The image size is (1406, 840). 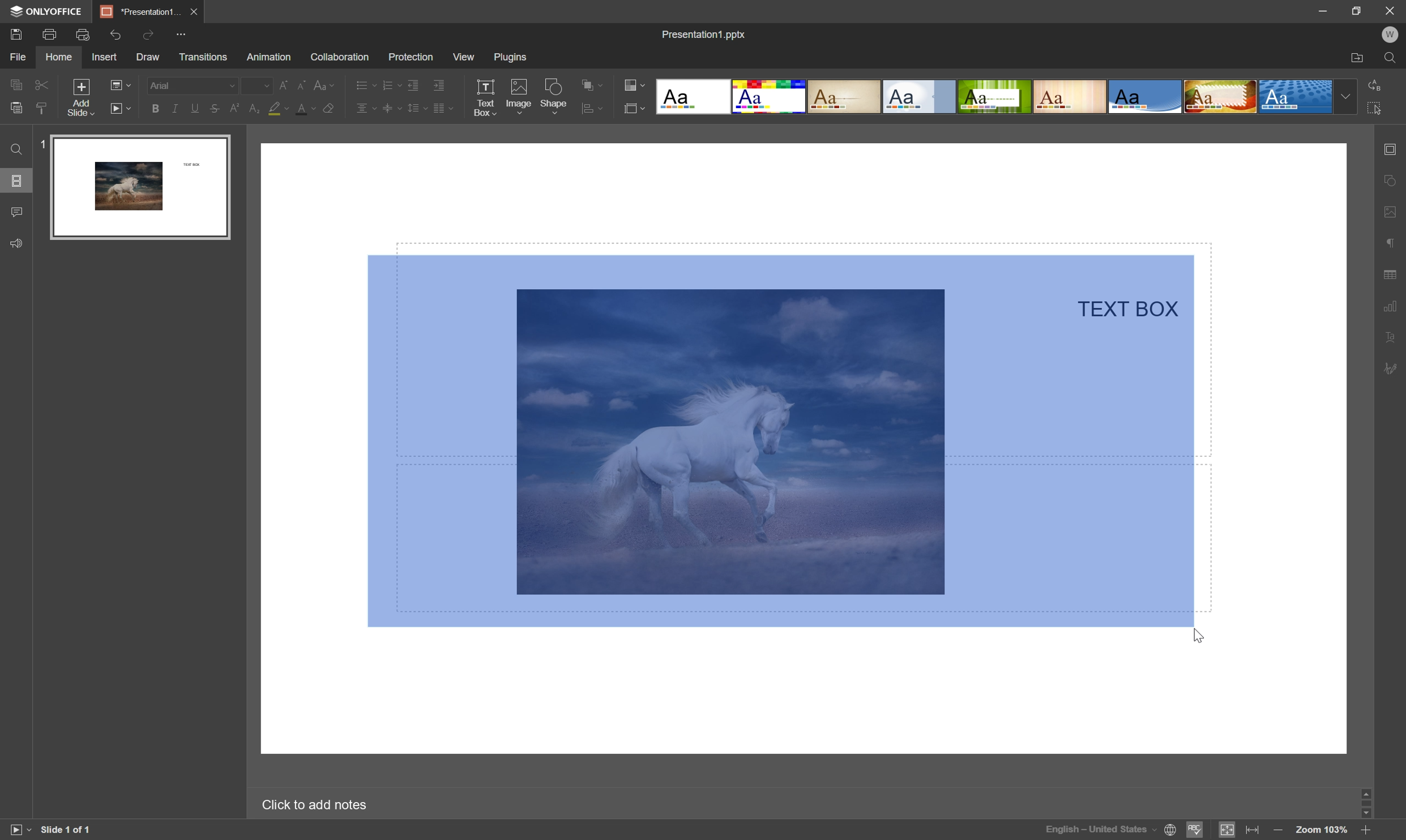 What do you see at coordinates (16, 829) in the screenshot?
I see `start slideshow` at bounding box center [16, 829].